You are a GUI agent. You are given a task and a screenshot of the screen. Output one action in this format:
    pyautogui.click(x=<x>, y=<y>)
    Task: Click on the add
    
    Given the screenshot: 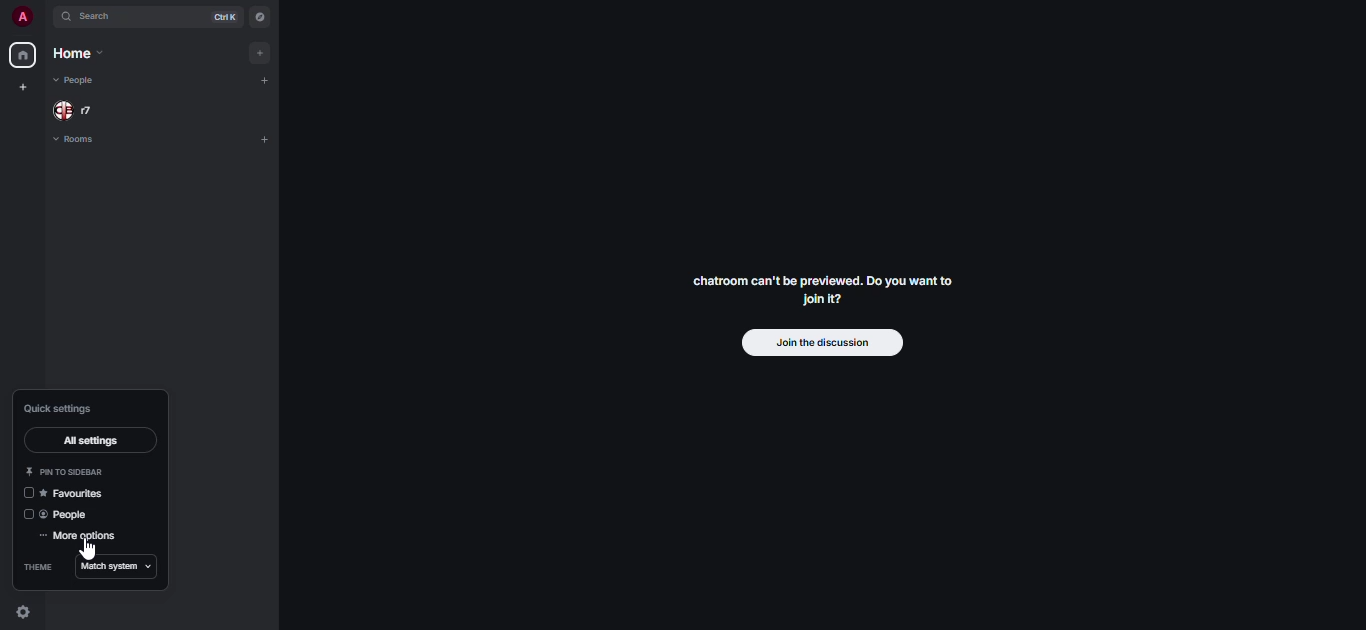 What is the action you would take?
    pyautogui.click(x=259, y=52)
    